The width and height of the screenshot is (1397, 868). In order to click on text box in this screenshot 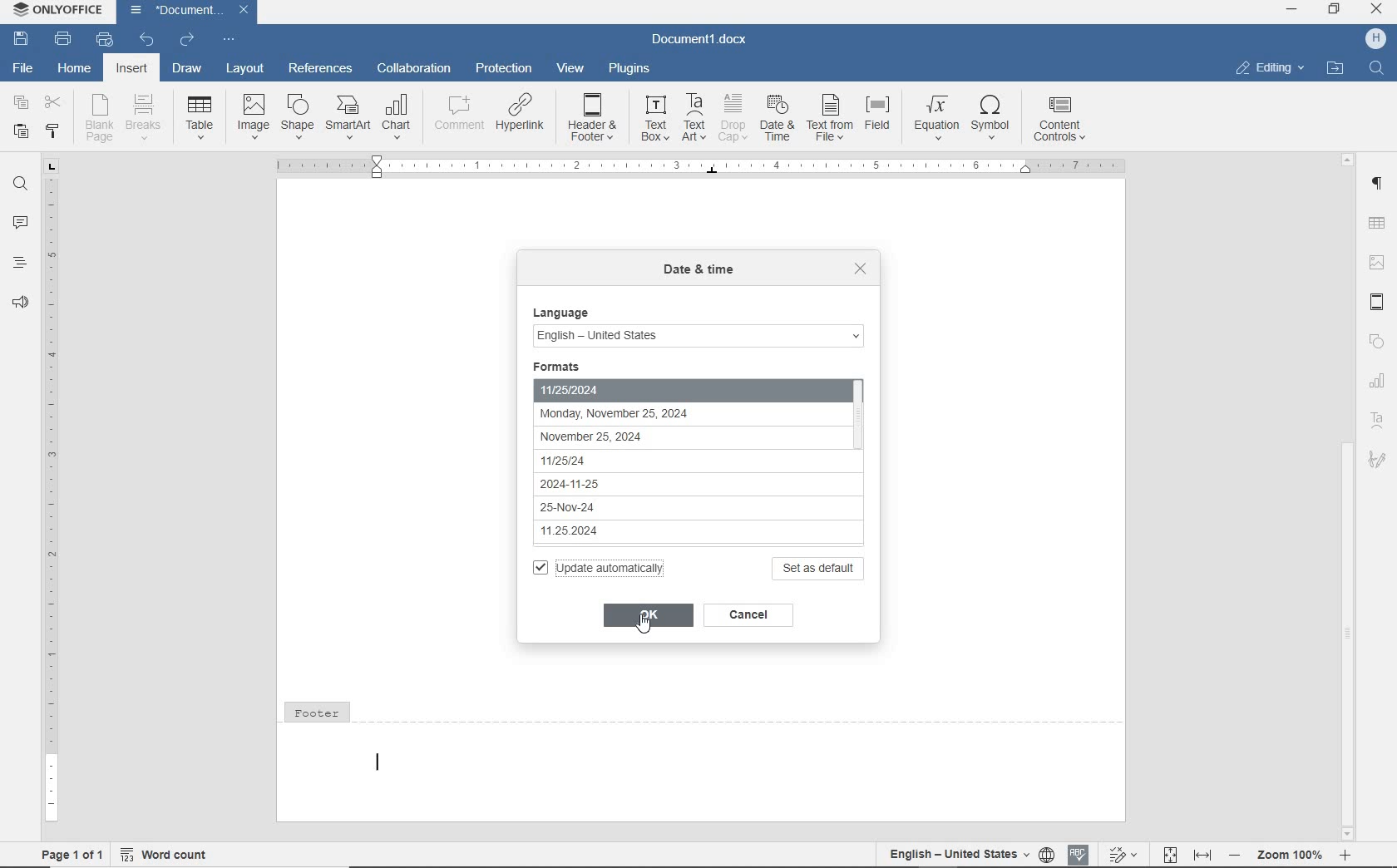, I will do `click(655, 118)`.